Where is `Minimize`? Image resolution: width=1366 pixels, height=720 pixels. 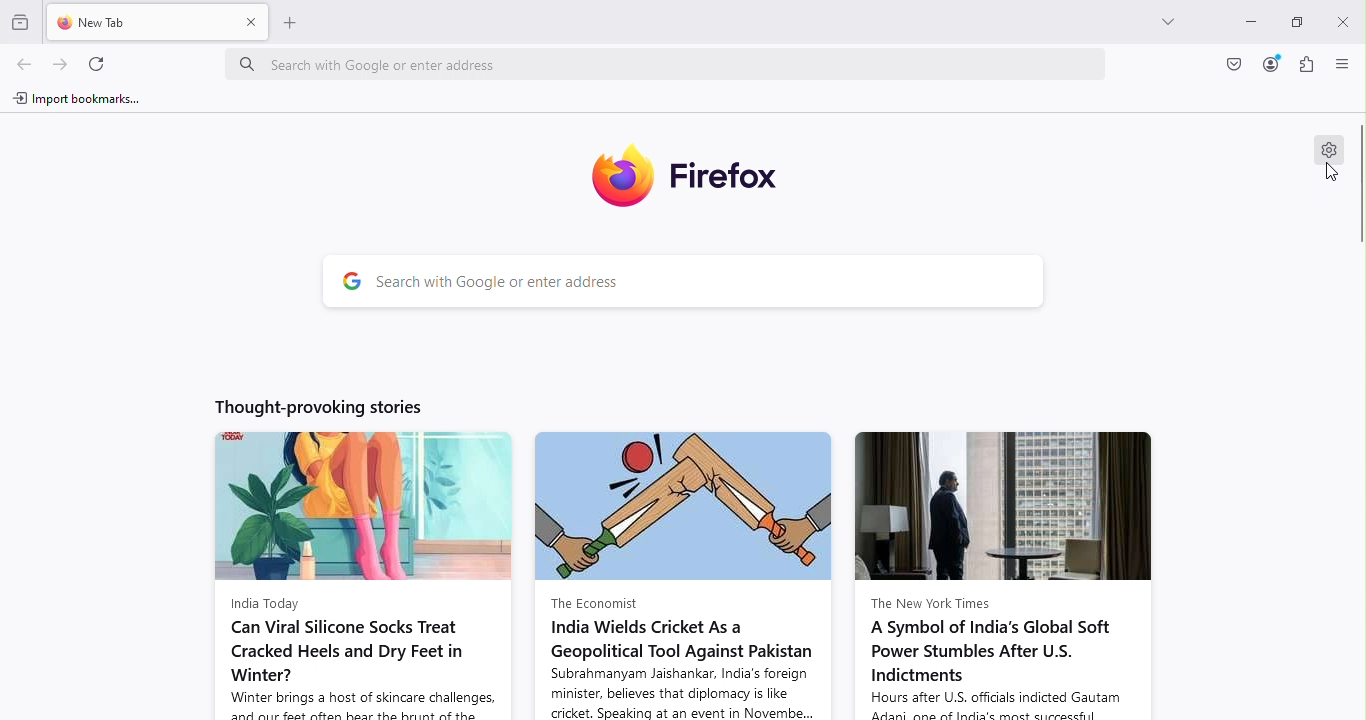 Minimize is located at coordinates (1241, 19).